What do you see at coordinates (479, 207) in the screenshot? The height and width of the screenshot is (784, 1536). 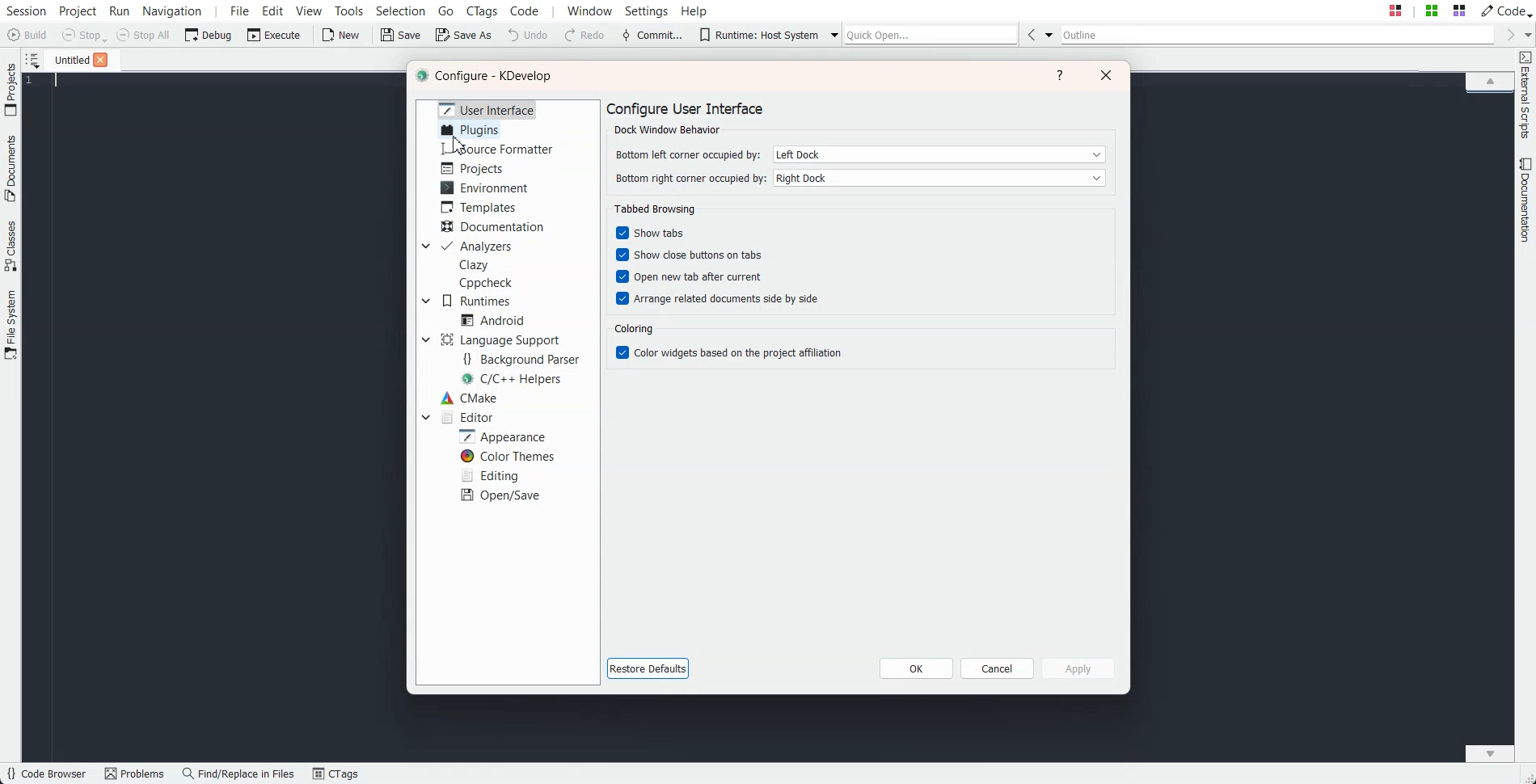 I see `Templates` at bounding box center [479, 207].